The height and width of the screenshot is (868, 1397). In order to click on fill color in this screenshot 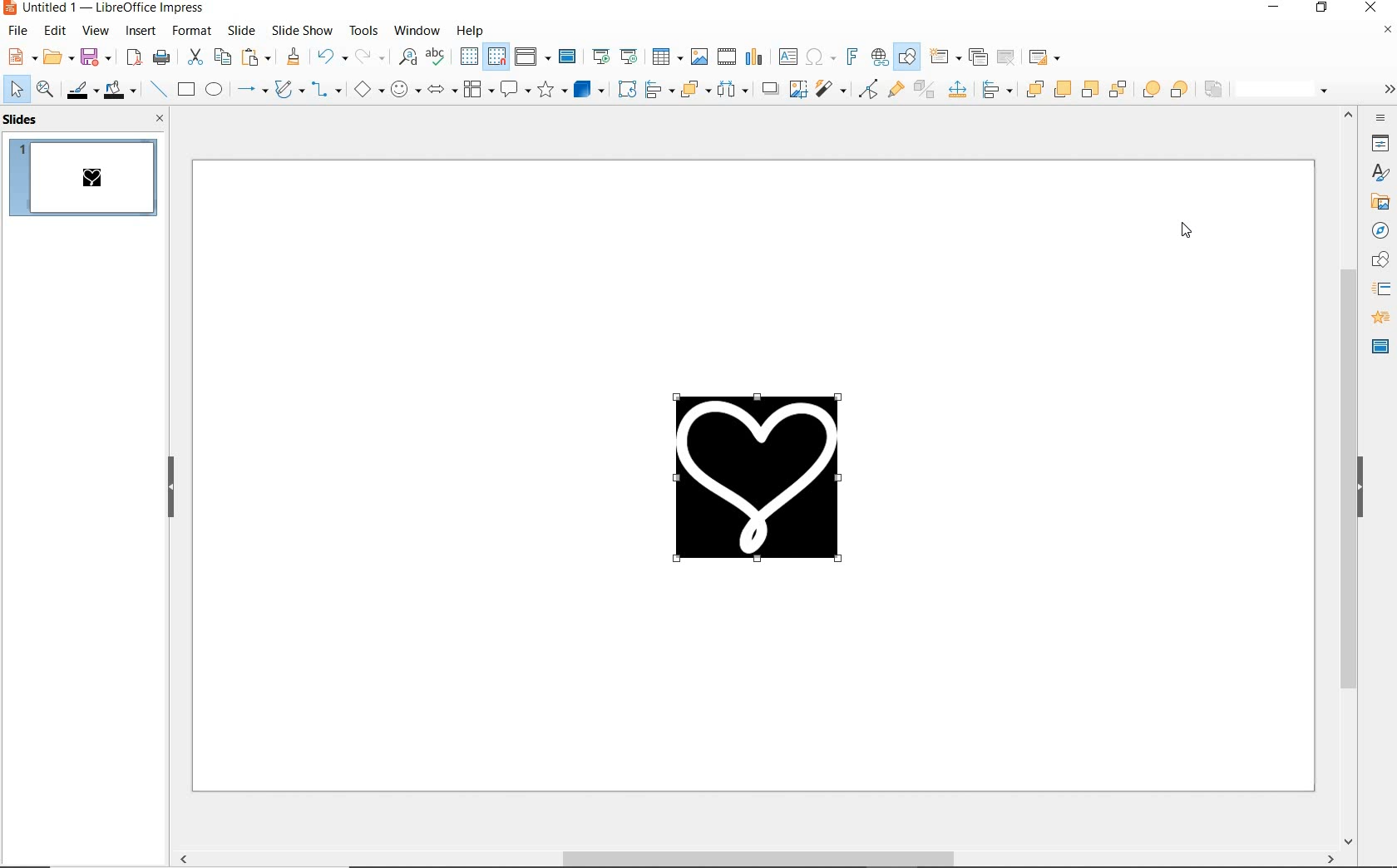, I will do `click(120, 89)`.